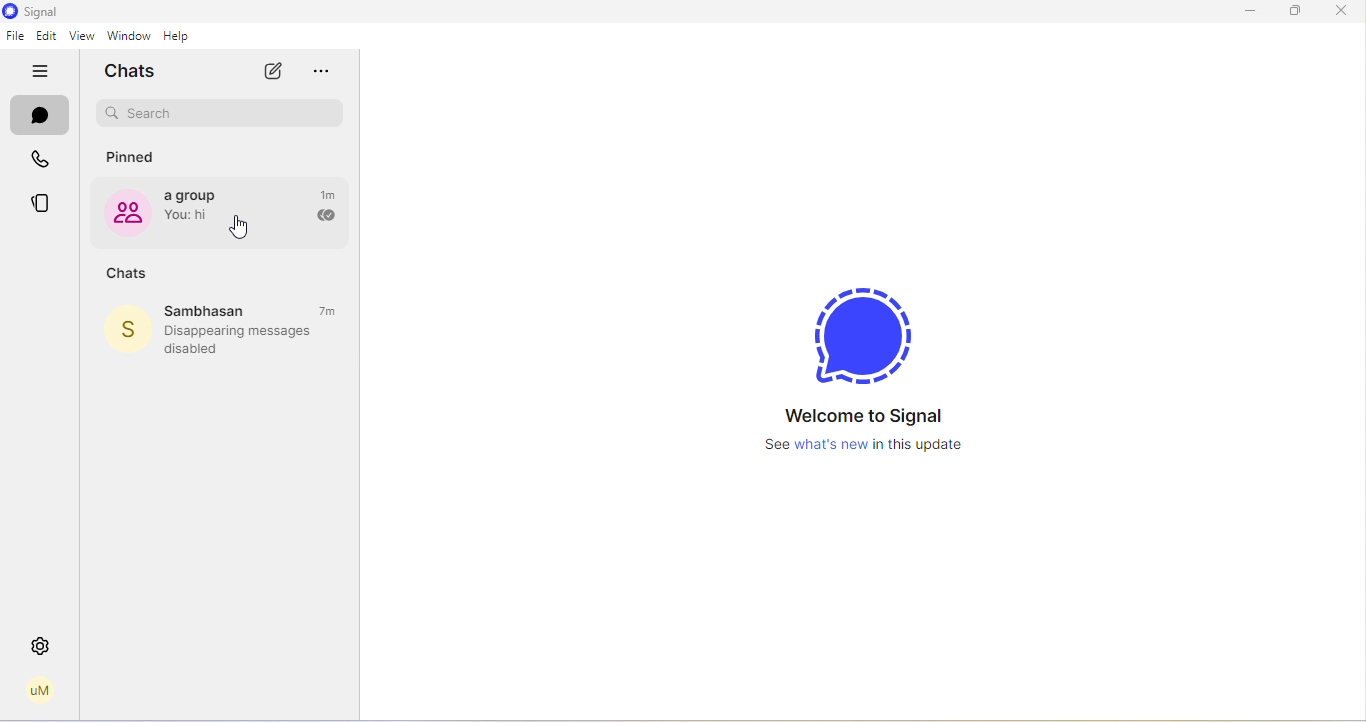  What do you see at coordinates (248, 340) in the screenshot?
I see `disappearing messages disable` at bounding box center [248, 340].